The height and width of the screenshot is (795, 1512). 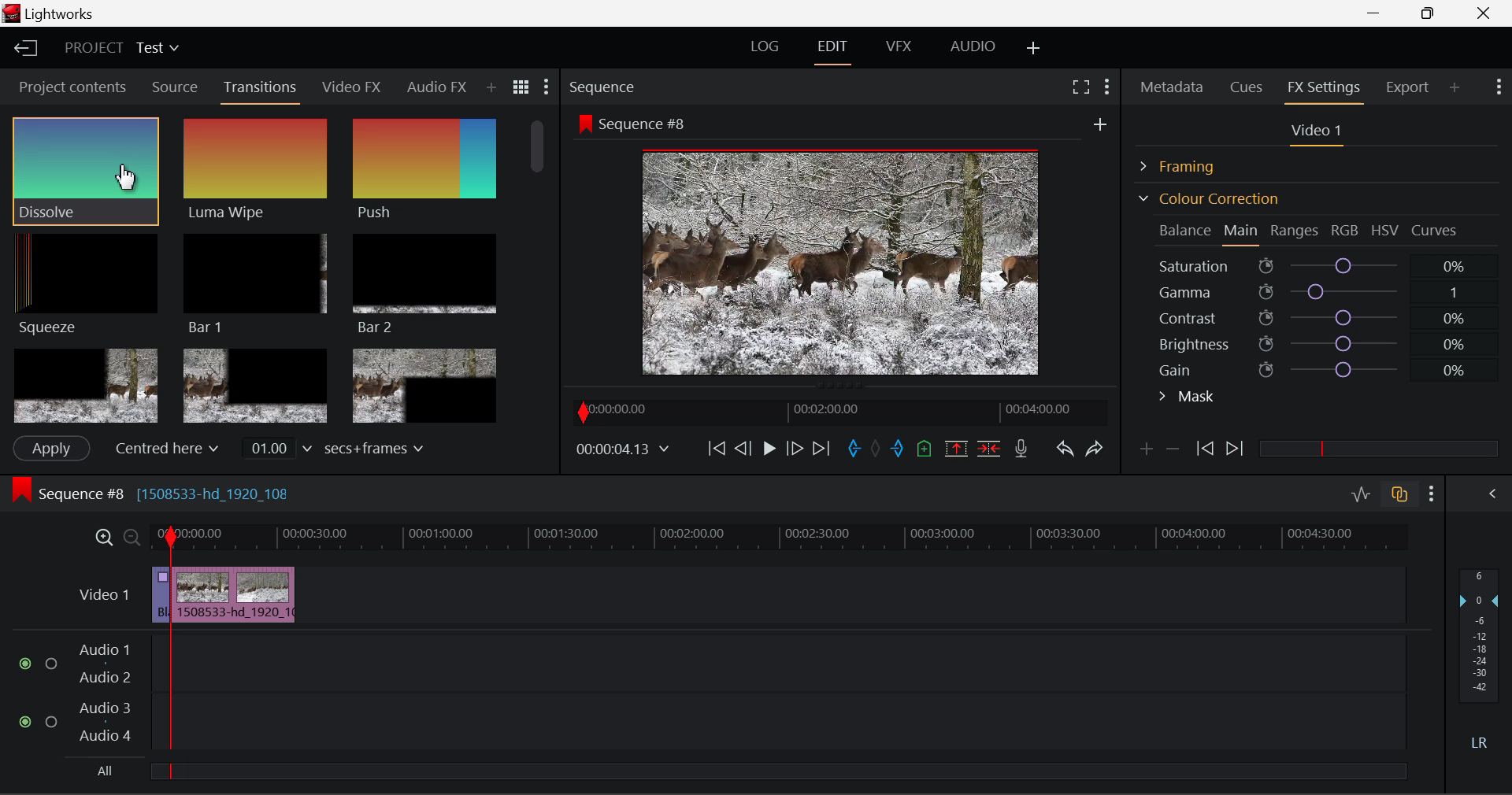 I want to click on Project Timeline, so click(x=780, y=538).